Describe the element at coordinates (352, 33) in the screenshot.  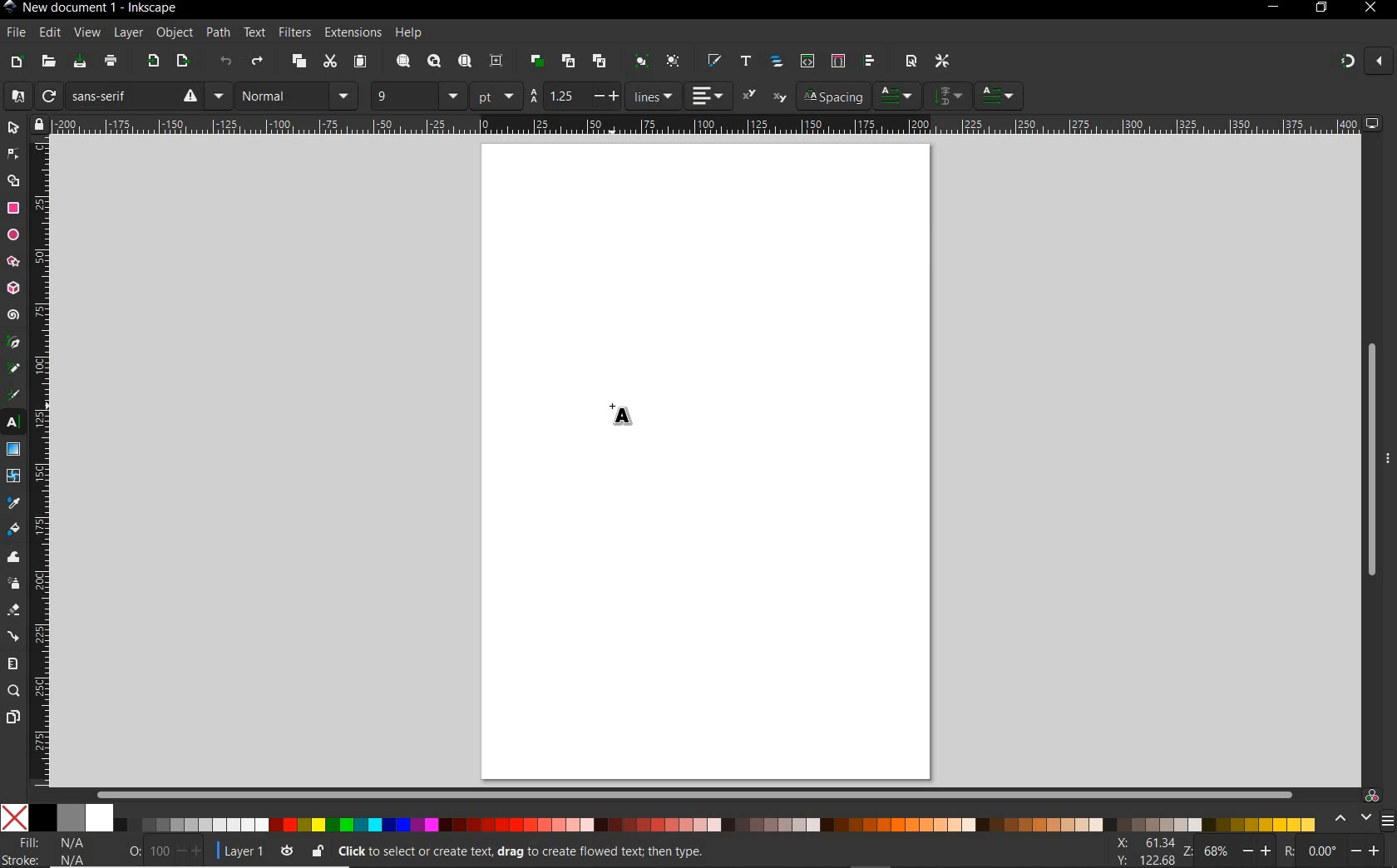
I see `extensions` at that location.